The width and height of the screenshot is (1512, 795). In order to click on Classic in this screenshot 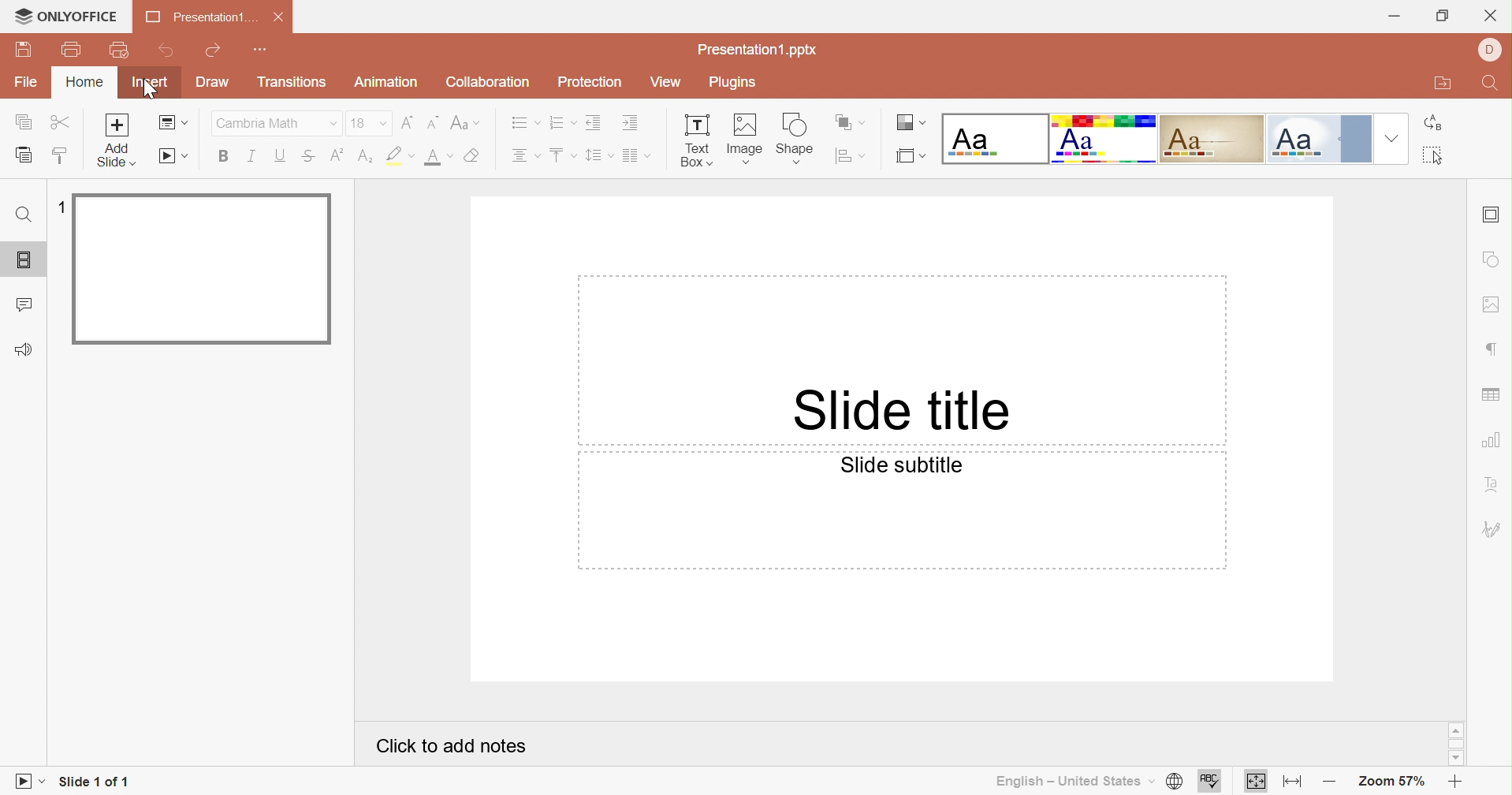, I will do `click(1214, 141)`.